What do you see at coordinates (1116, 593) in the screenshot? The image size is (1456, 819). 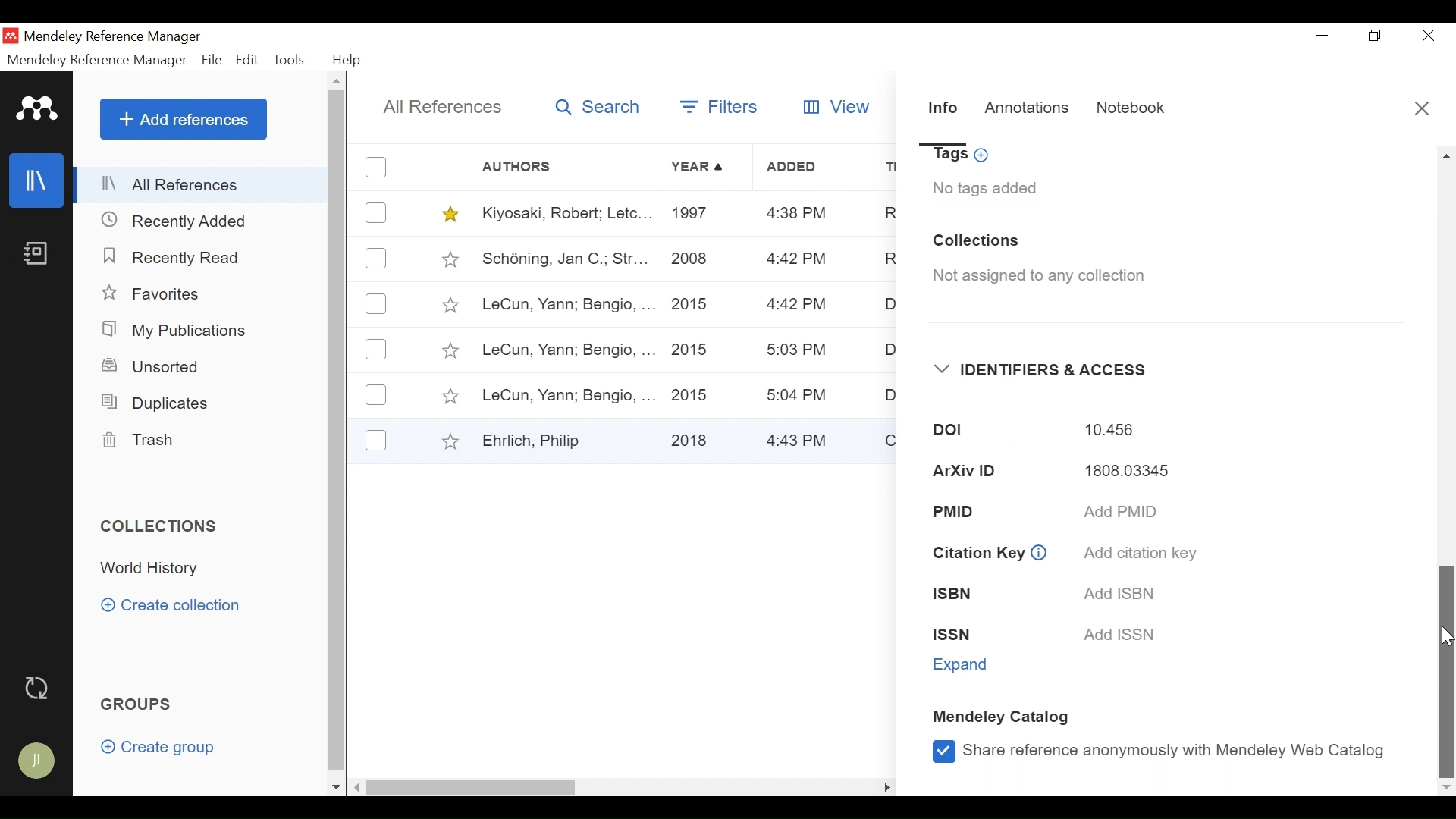 I see `Add ISBN` at bounding box center [1116, 593].